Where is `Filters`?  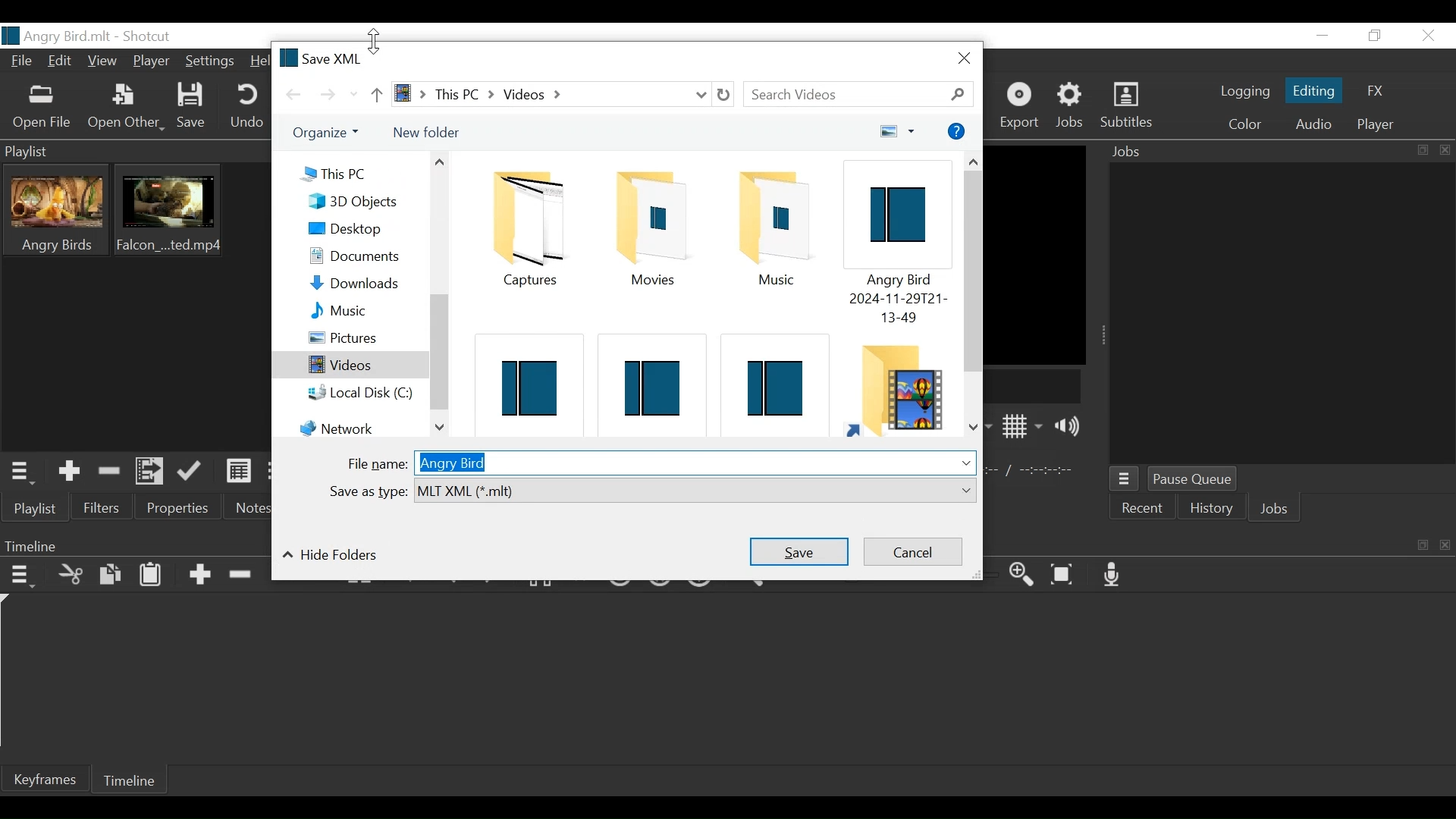
Filters is located at coordinates (102, 509).